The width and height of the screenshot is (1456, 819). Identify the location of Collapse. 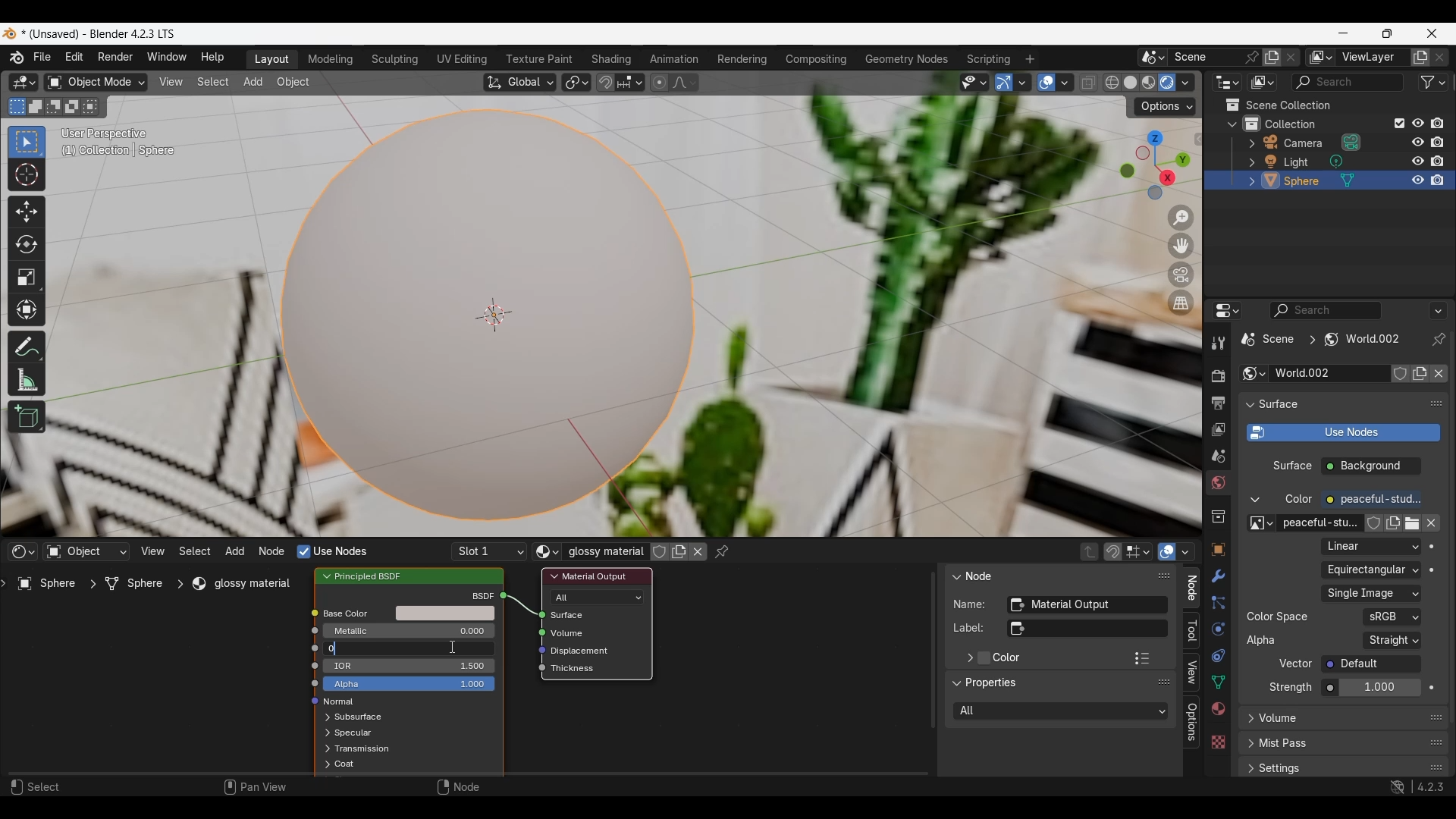
(955, 576).